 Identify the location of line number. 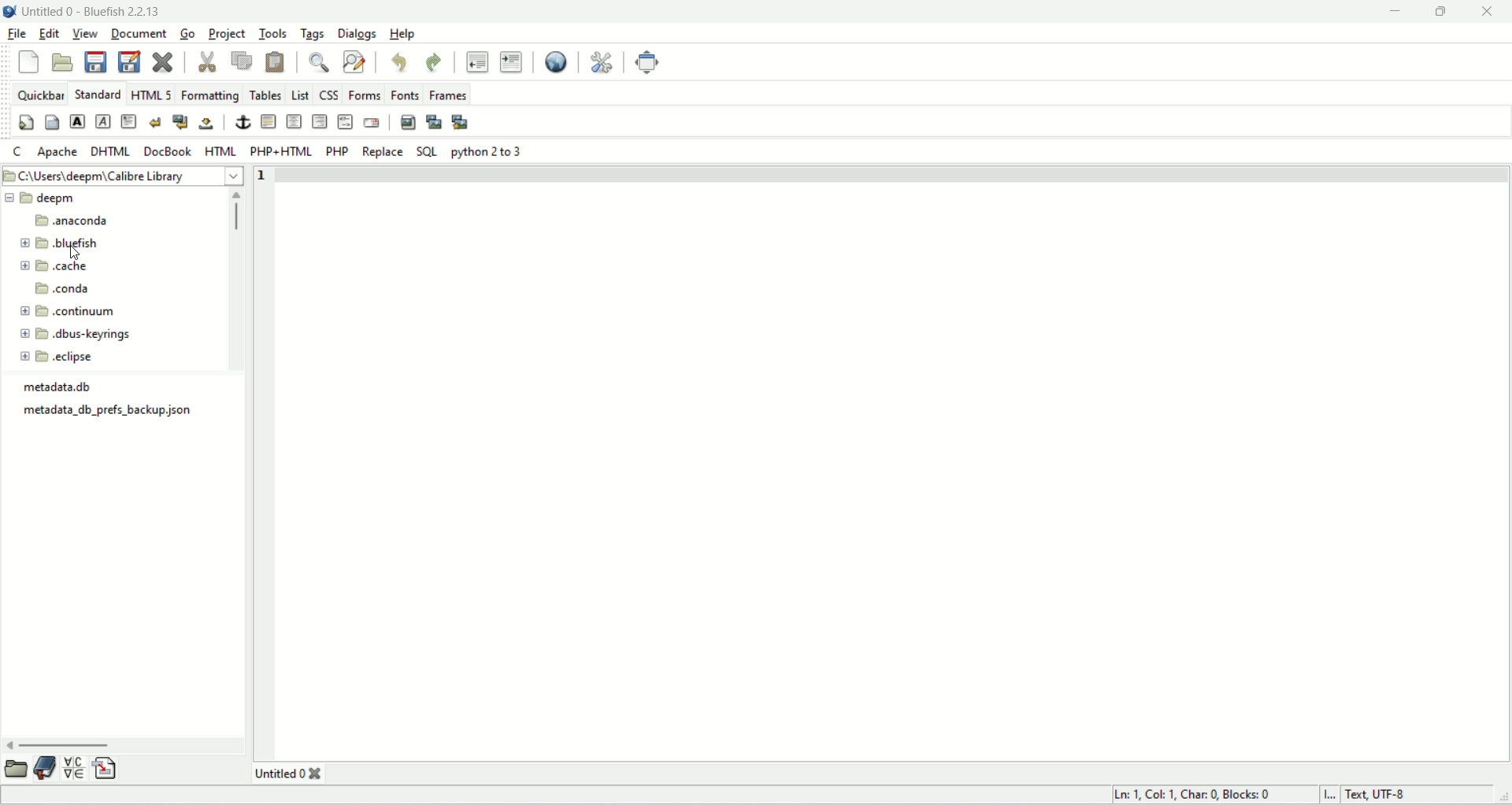
(260, 176).